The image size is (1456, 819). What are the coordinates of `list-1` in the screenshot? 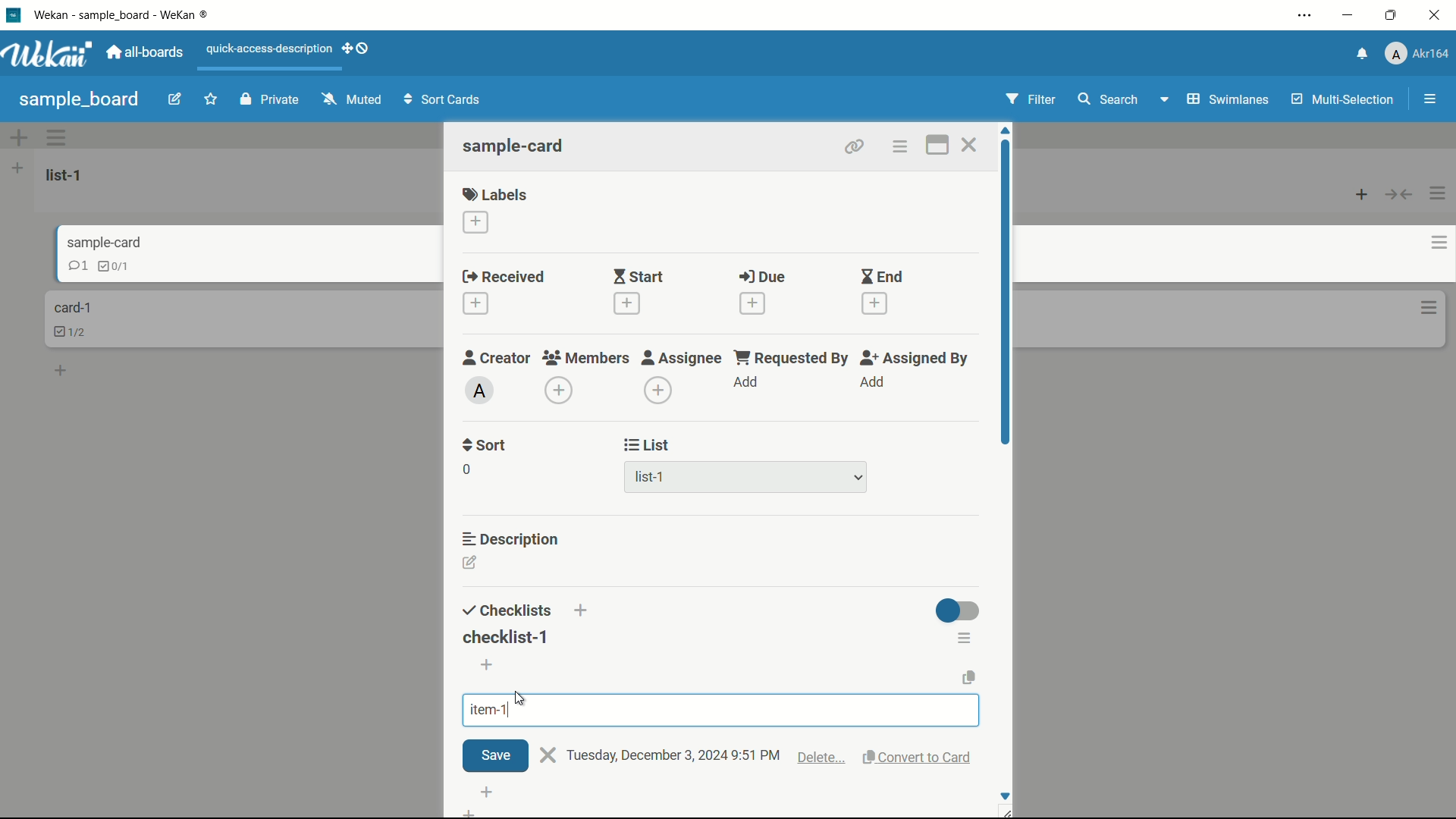 It's located at (648, 477).